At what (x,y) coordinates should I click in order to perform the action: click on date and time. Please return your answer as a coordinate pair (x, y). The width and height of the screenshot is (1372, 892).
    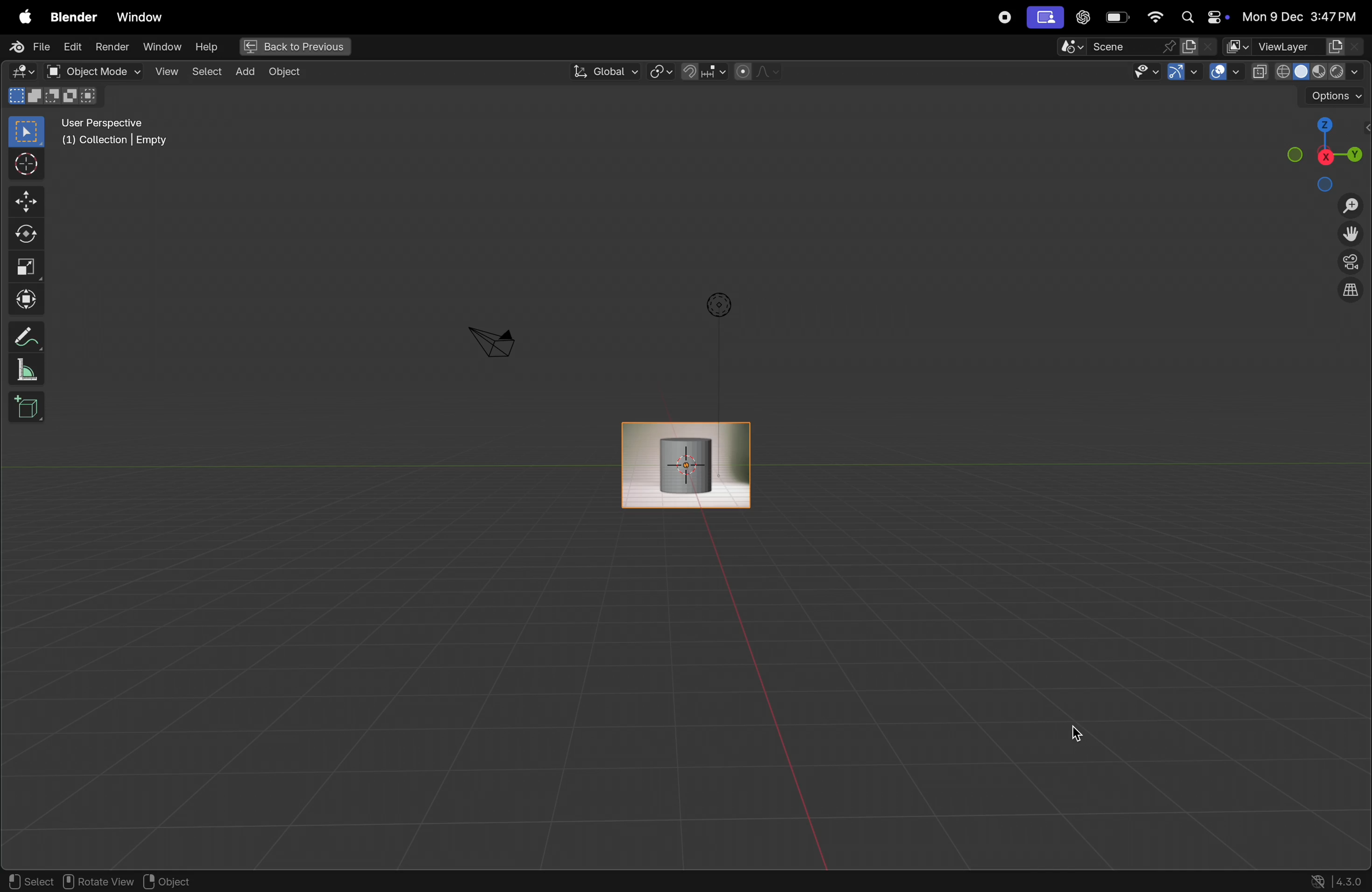
    Looking at the image, I should click on (1299, 17).